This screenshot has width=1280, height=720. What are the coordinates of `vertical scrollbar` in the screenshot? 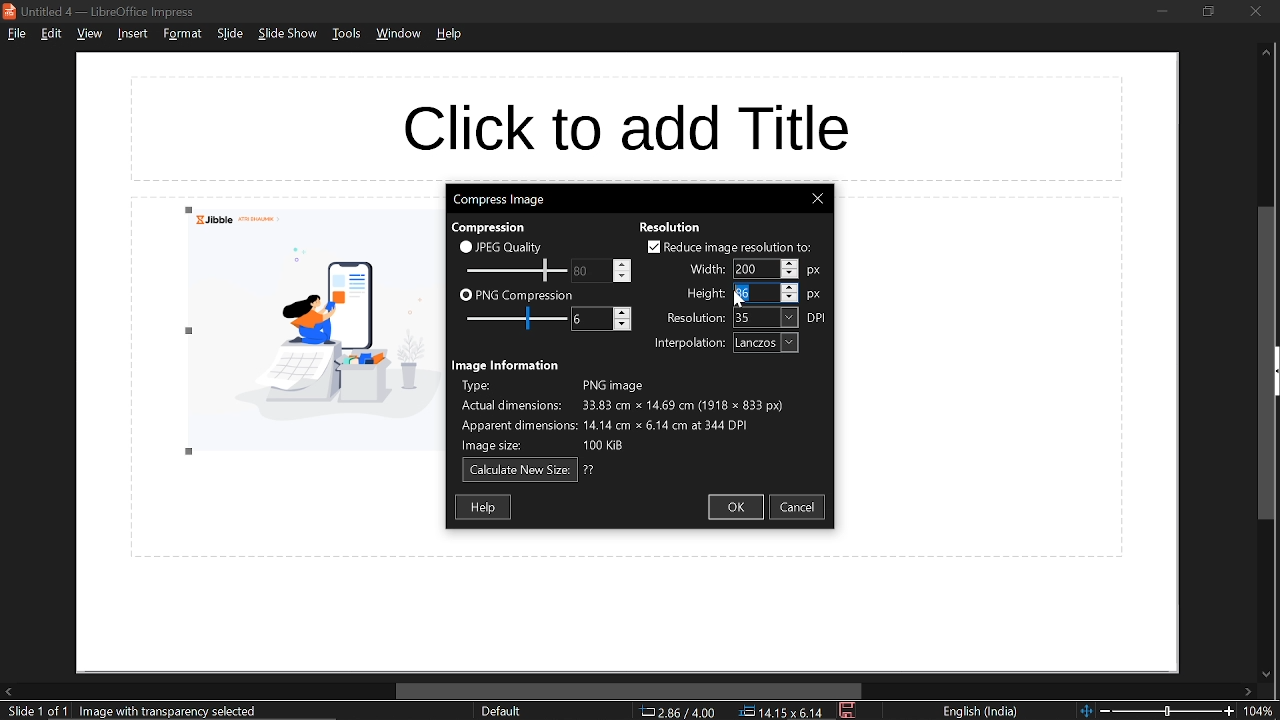 It's located at (1268, 364).